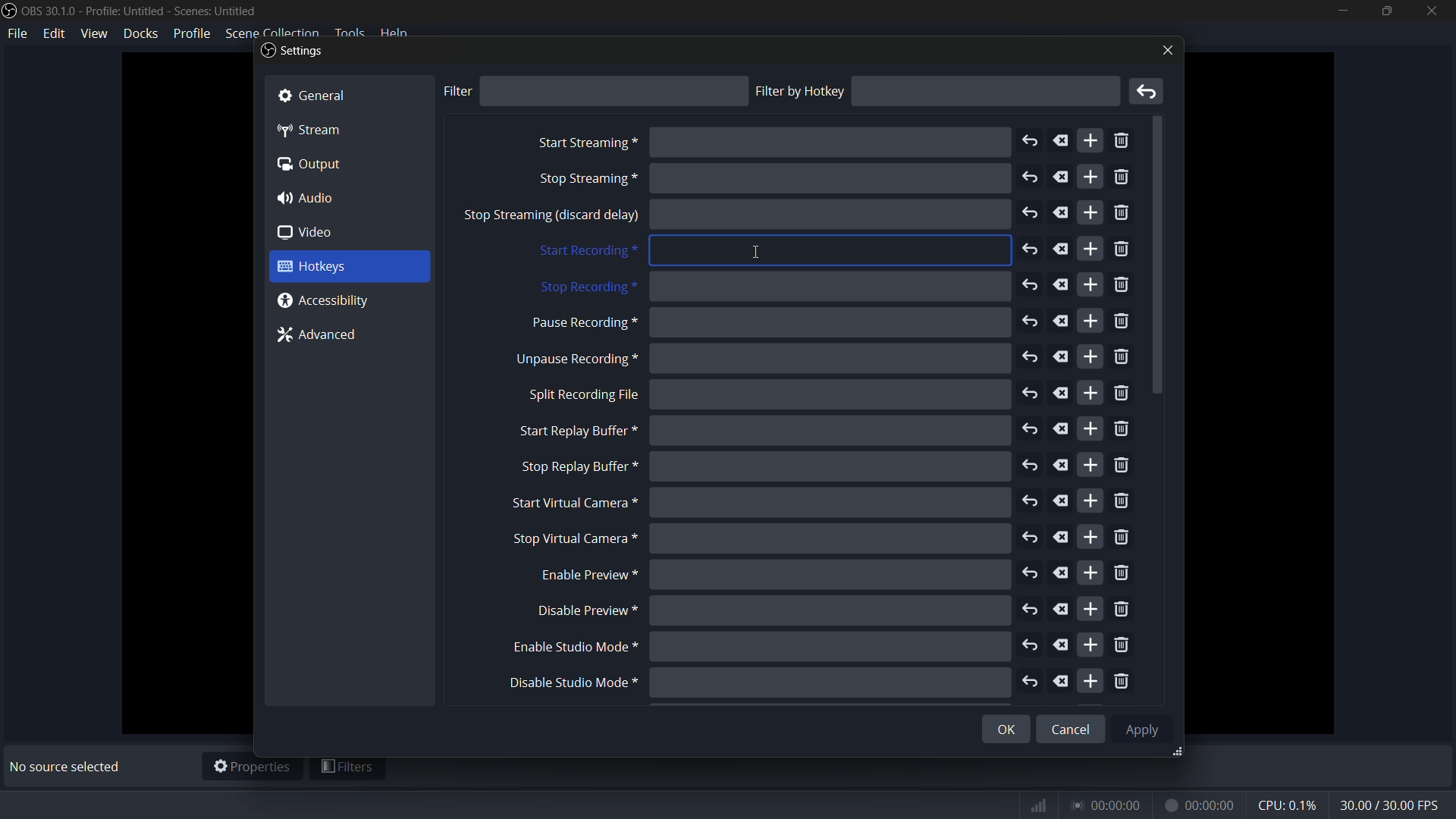 The image size is (1456, 819). Describe the element at coordinates (1032, 538) in the screenshot. I see `undo` at that location.